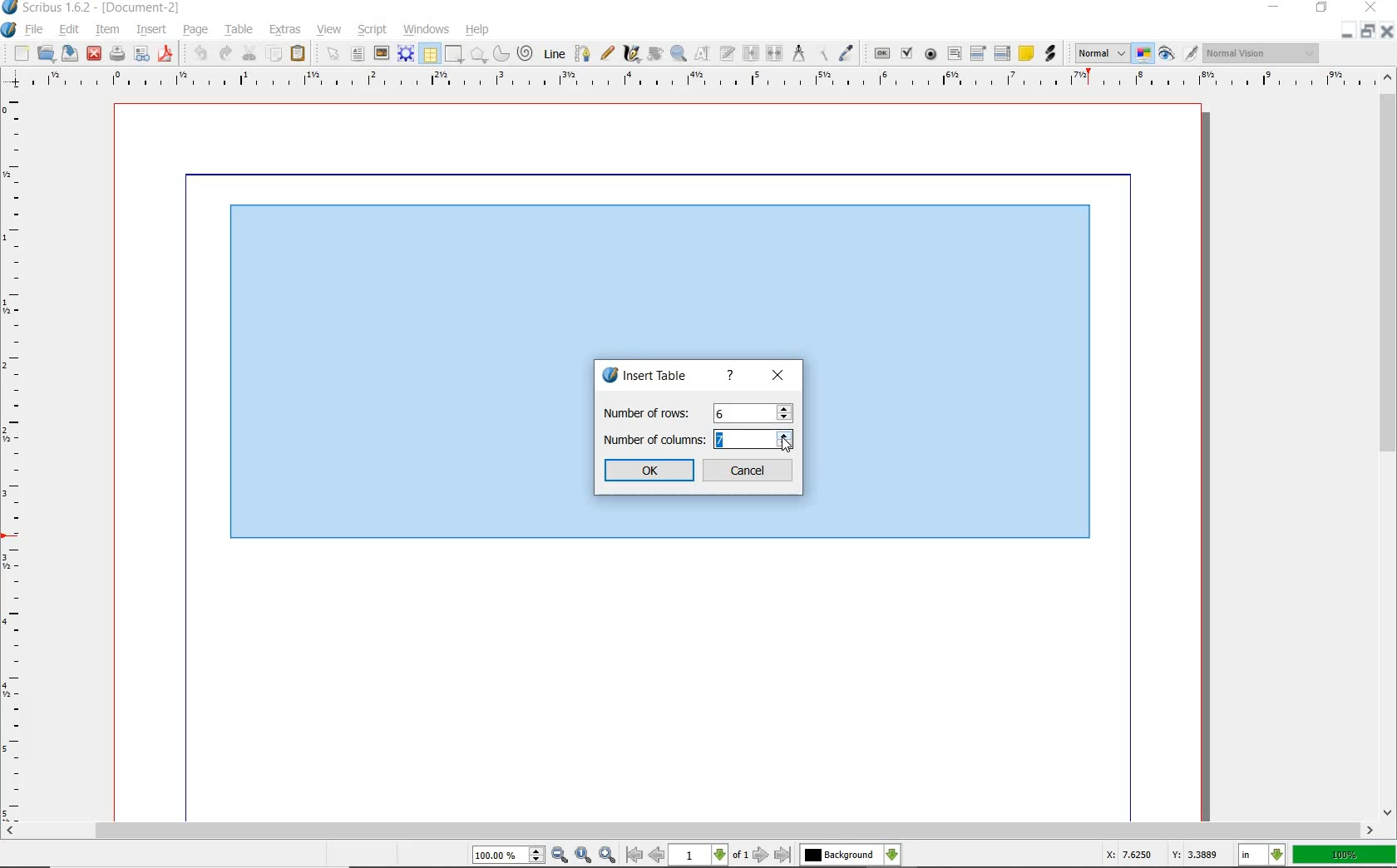 This screenshot has height=868, width=1397. What do you see at coordinates (699, 55) in the screenshot?
I see `edit contents of frame` at bounding box center [699, 55].